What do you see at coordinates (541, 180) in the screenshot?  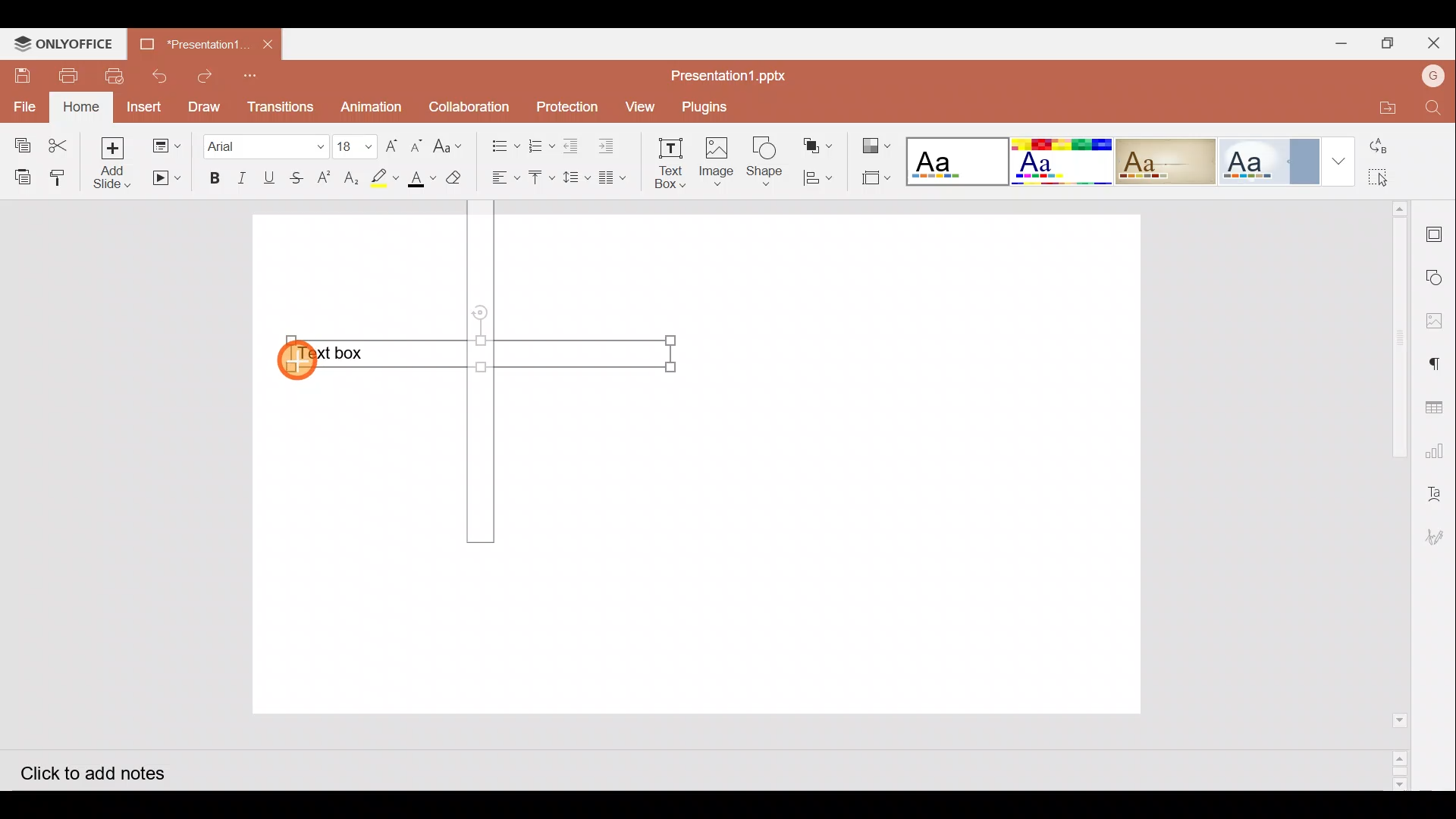 I see `Vertical align` at bounding box center [541, 180].